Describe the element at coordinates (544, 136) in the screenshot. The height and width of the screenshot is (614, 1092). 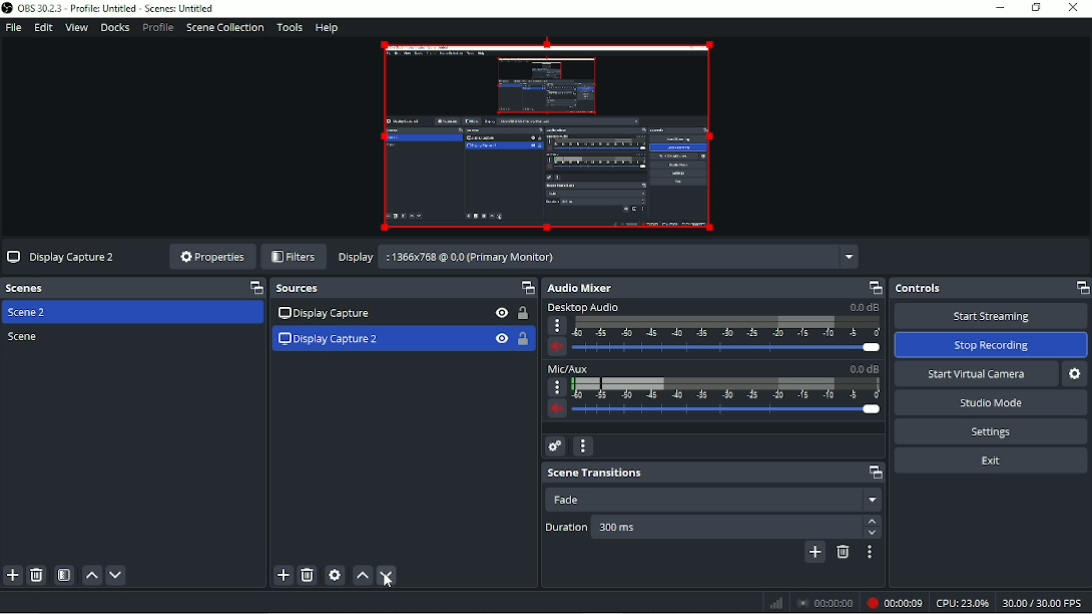
I see `Display Capture2(Video)` at that location.